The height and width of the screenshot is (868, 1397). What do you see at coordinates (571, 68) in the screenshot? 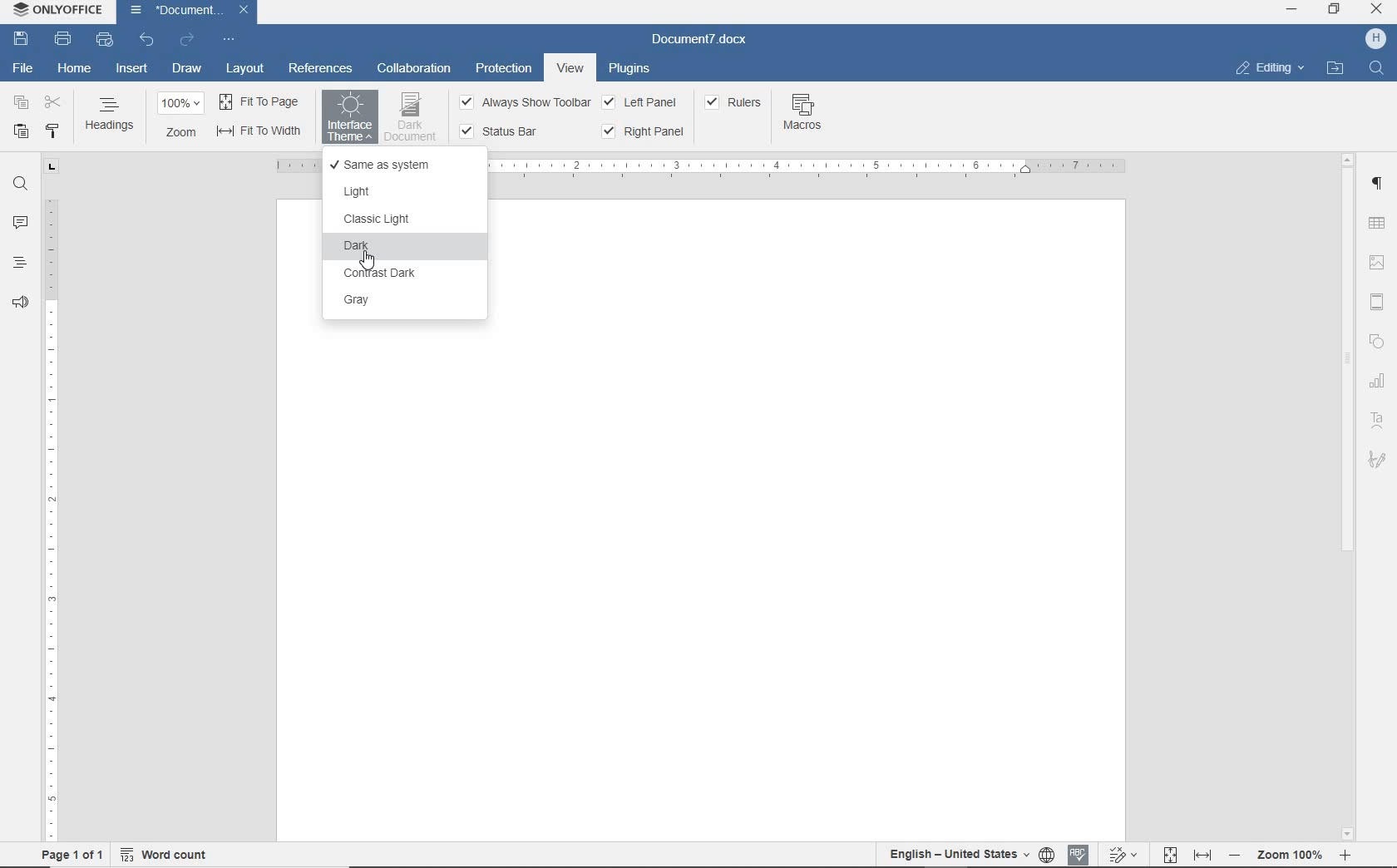
I see `VIEW` at bounding box center [571, 68].